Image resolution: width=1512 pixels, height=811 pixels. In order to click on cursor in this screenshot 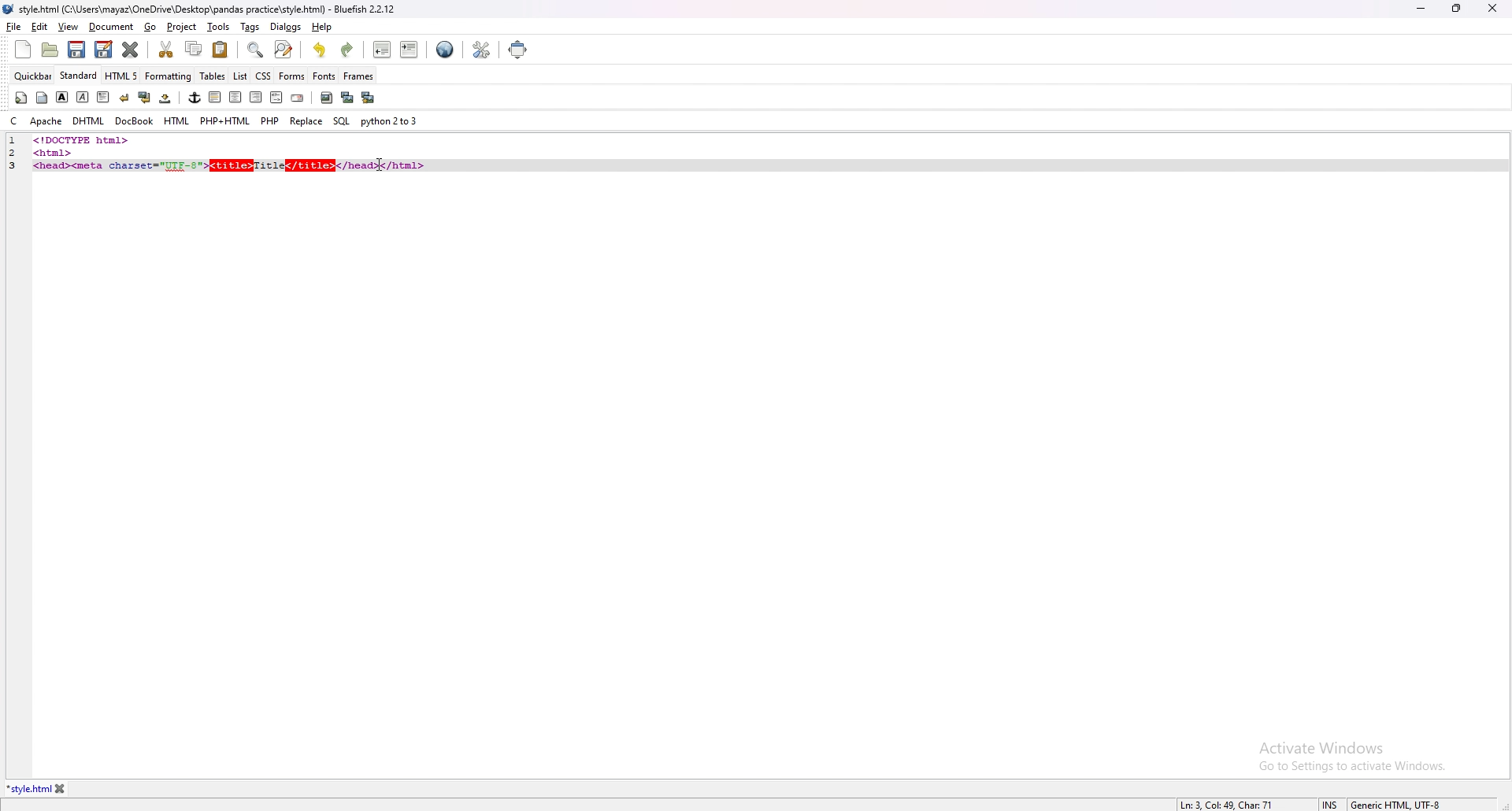, I will do `click(377, 165)`.